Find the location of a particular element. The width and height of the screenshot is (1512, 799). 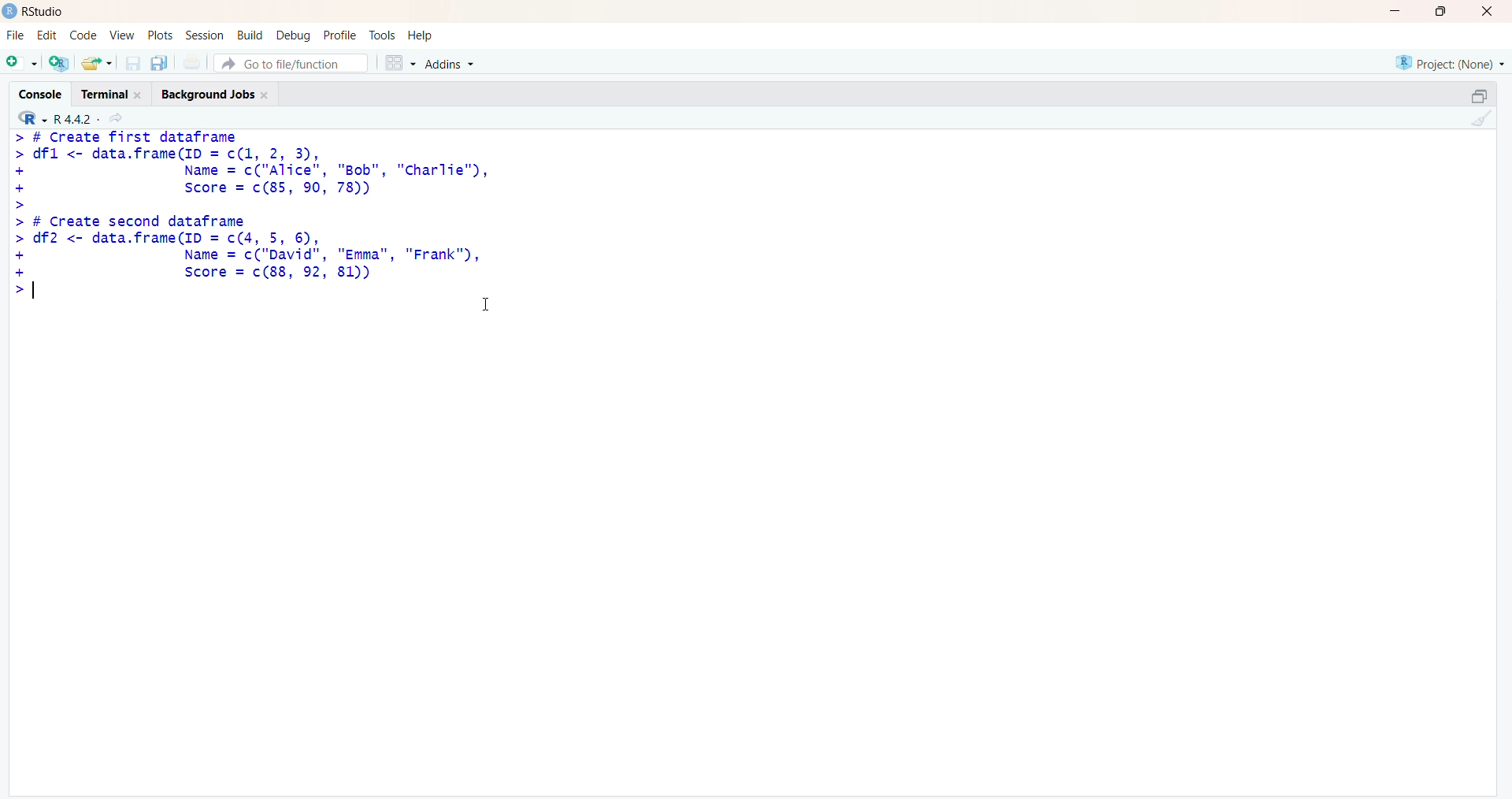

Debug is located at coordinates (295, 35).